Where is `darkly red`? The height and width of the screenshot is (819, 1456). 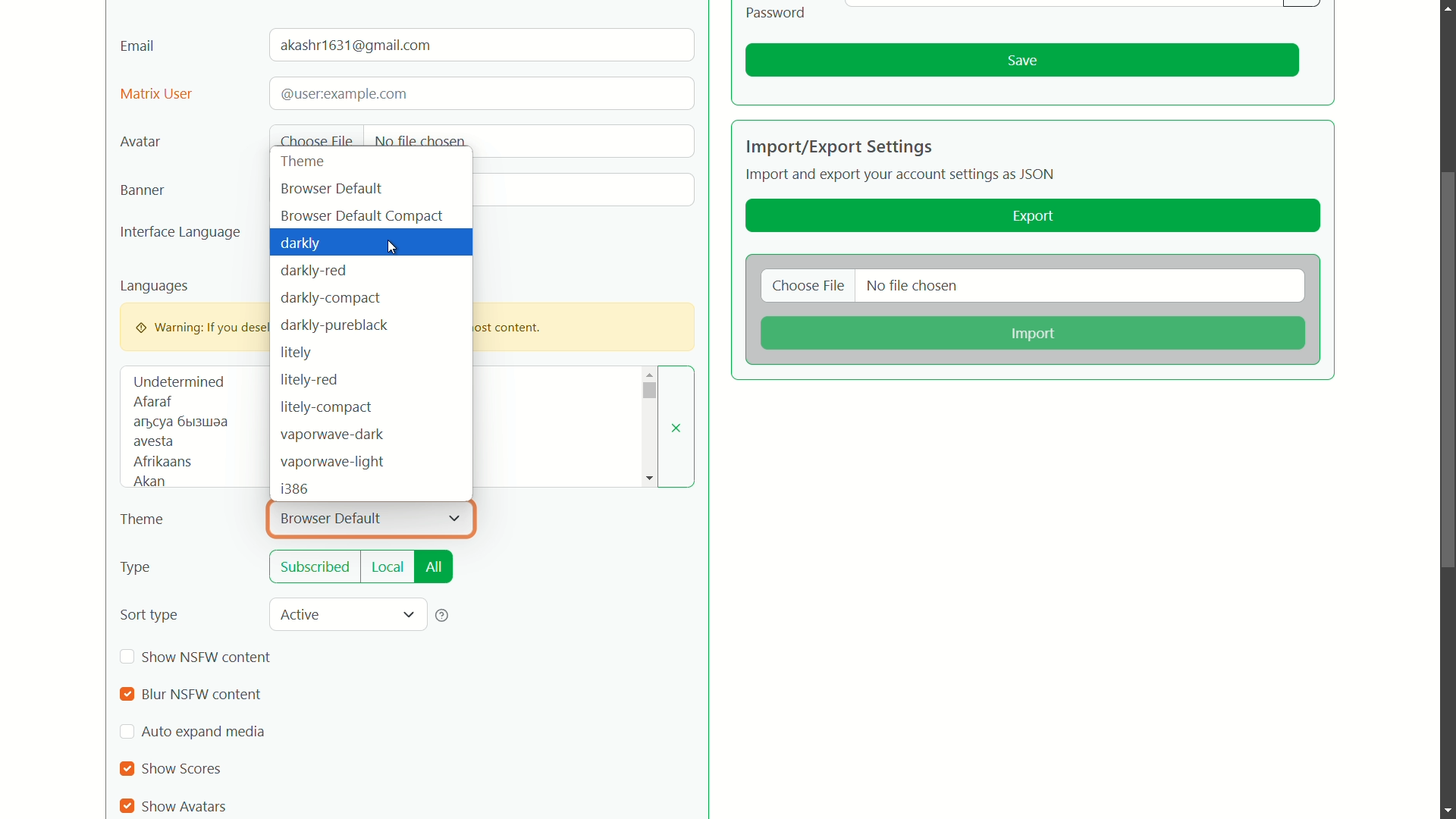 darkly red is located at coordinates (315, 272).